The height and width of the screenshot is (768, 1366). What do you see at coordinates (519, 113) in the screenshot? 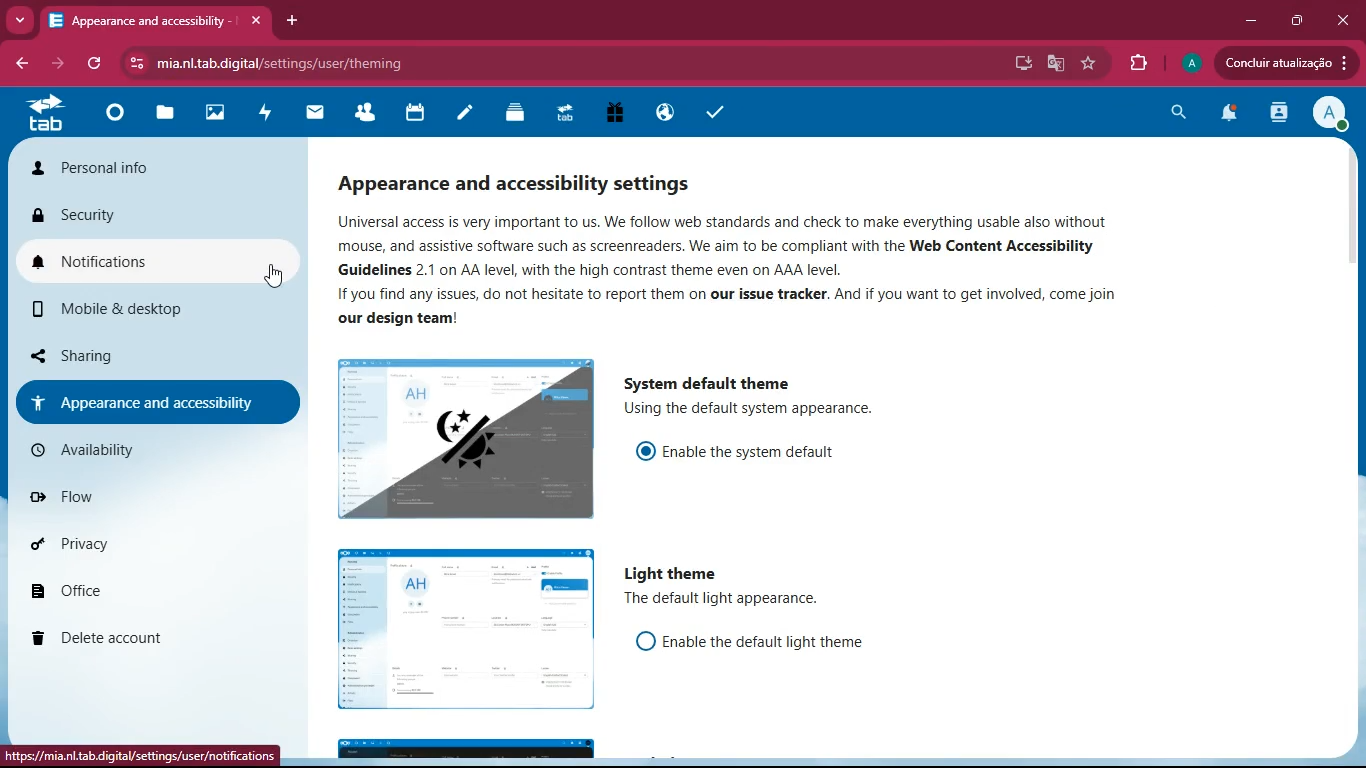
I see `layers` at bounding box center [519, 113].